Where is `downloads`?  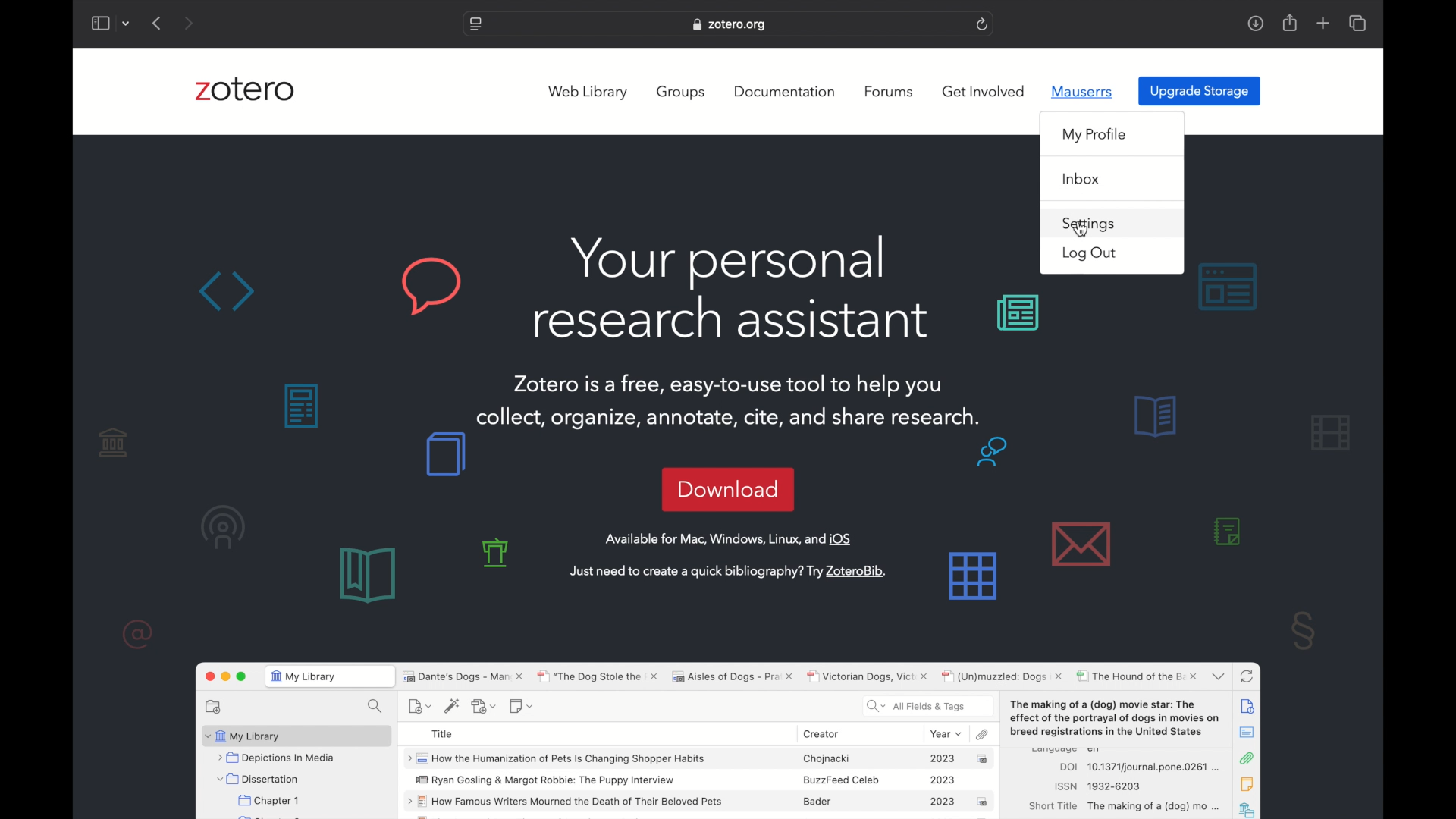
downloads is located at coordinates (1255, 23).